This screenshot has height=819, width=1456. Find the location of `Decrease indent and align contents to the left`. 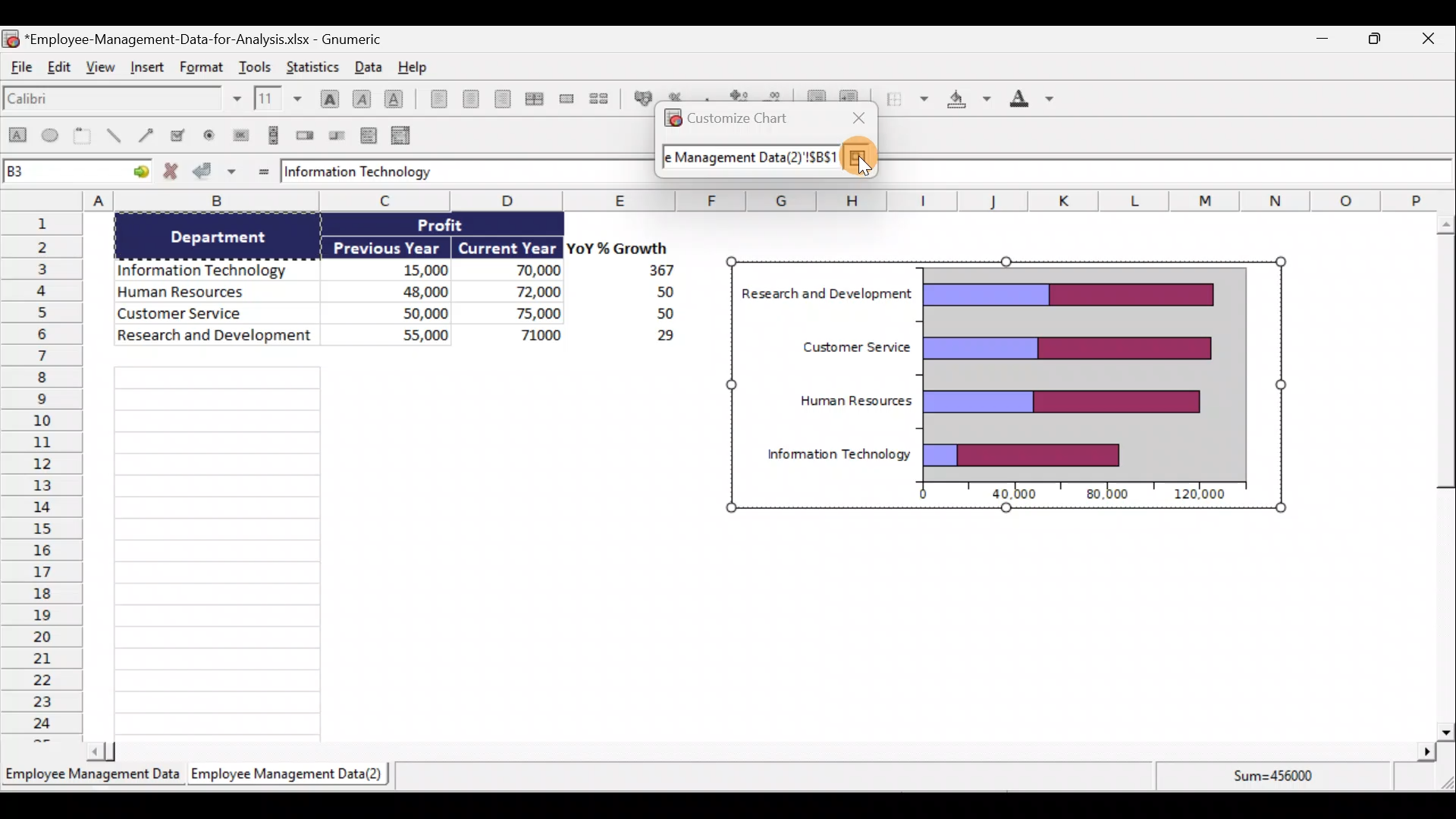

Decrease indent and align contents to the left is located at coordinates (813, 93).